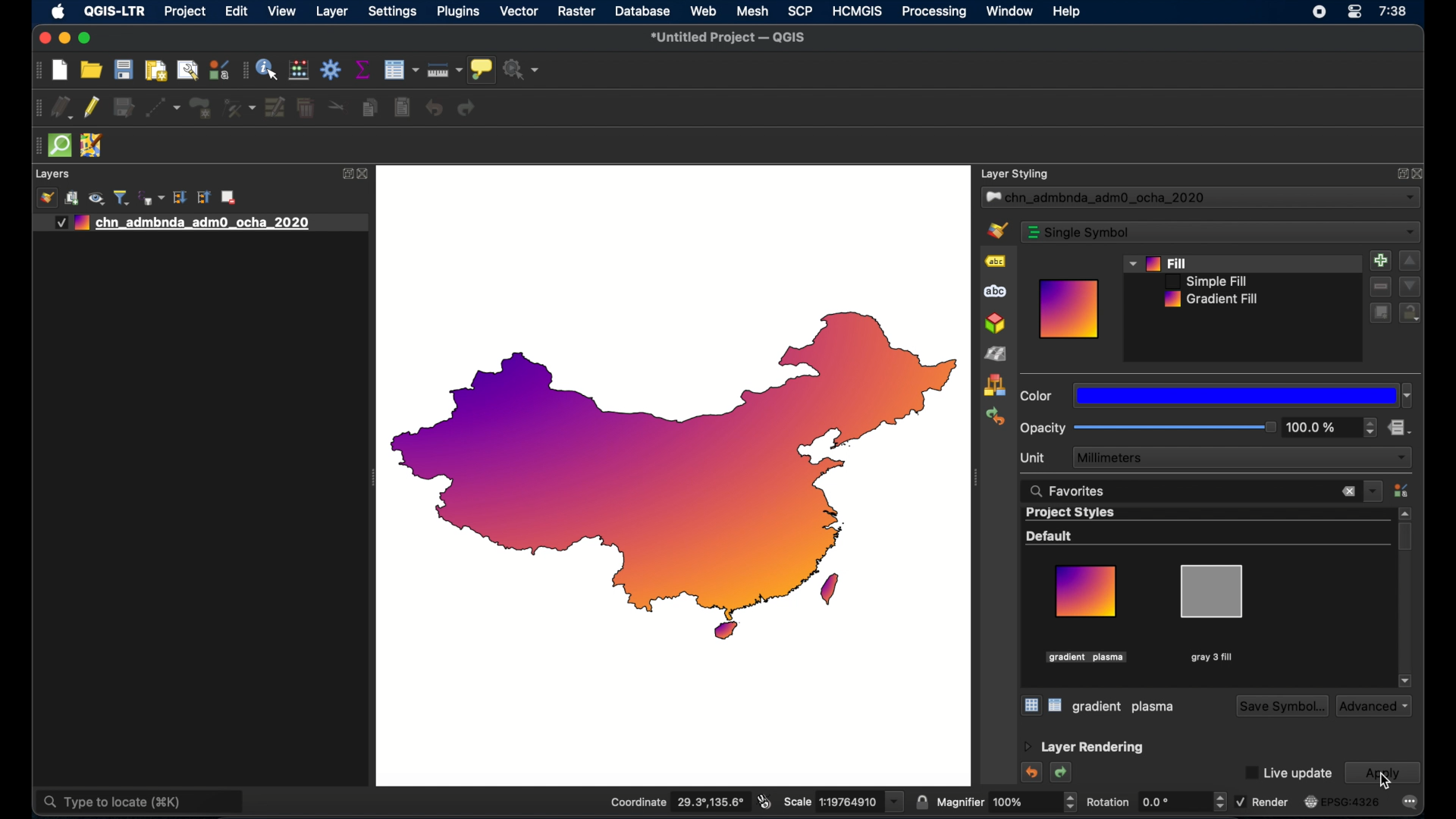 This screenshot has height=819, width=1456. Describe the element at coordinates (152, 198) in the screenshot. I see `filter legend by expression` at that location.